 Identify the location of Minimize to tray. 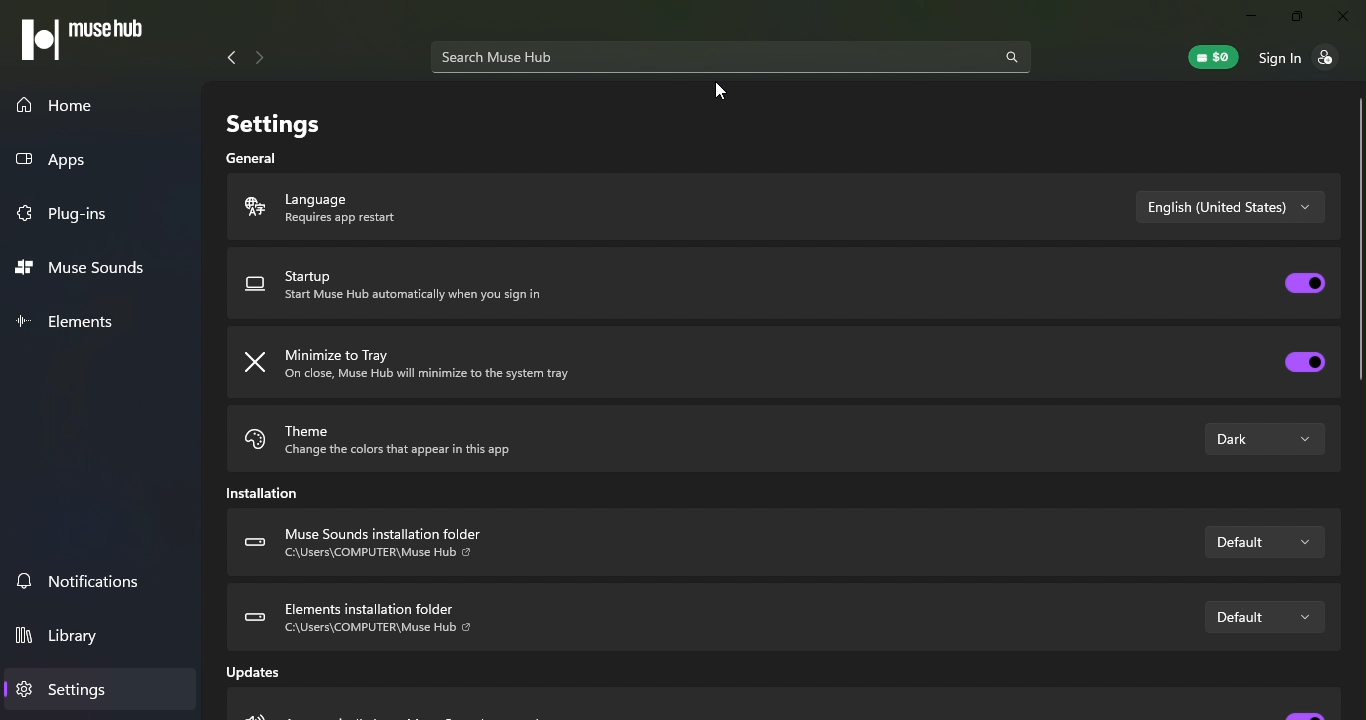
(447, 365).